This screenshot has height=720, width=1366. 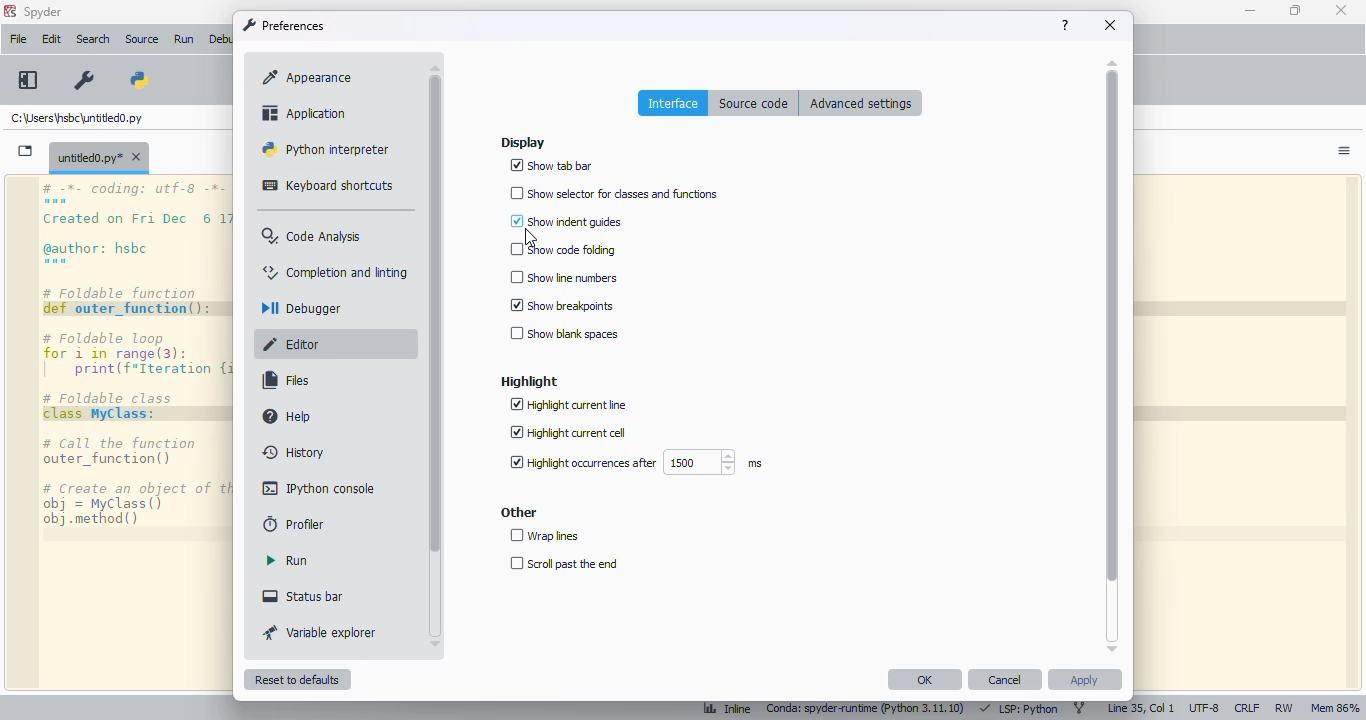 What do you see at coordinates (293, 344) in the screenshot?
I see `editor` at bounding box center [293, 344].